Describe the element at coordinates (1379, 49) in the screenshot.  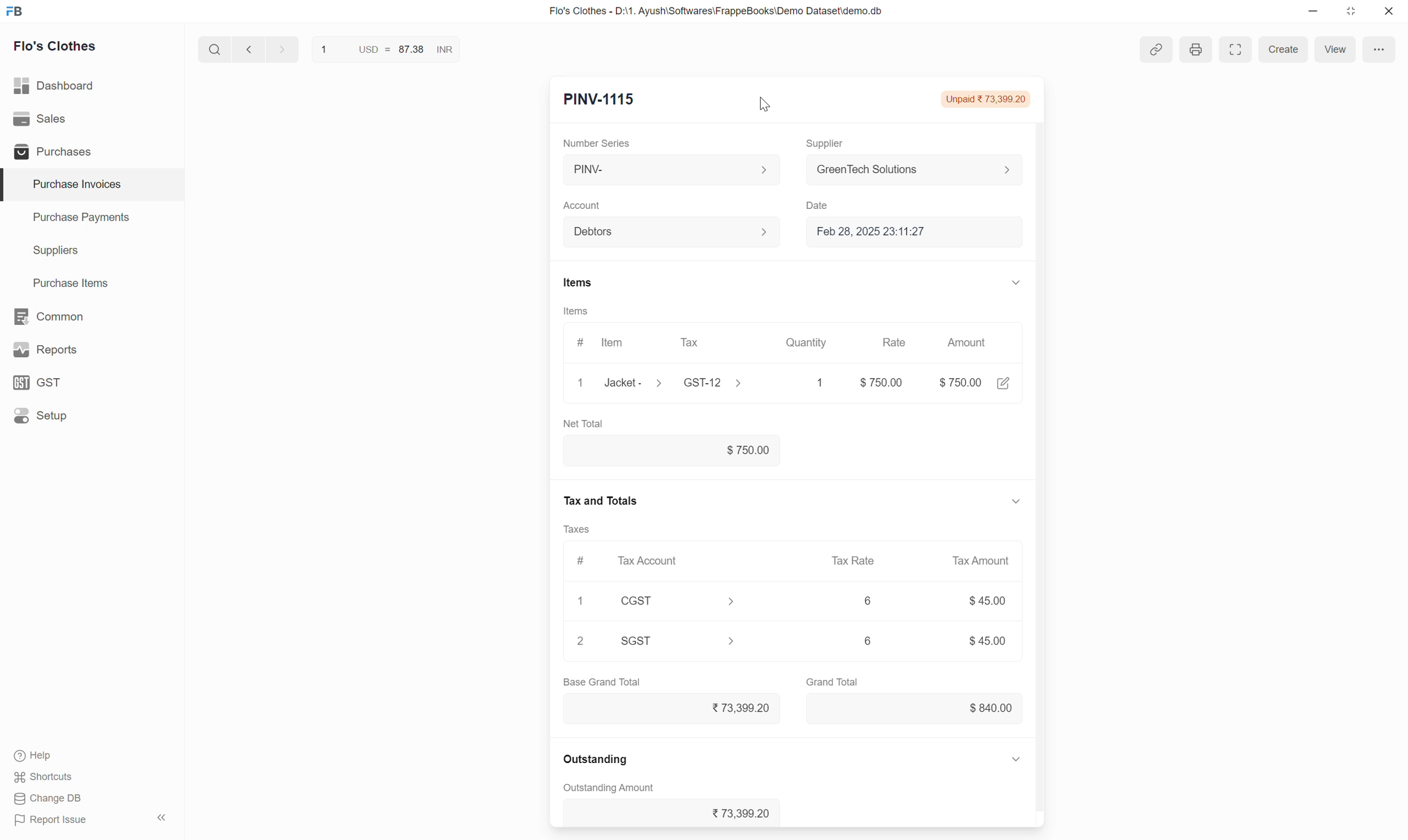
I see `More options` at that location.